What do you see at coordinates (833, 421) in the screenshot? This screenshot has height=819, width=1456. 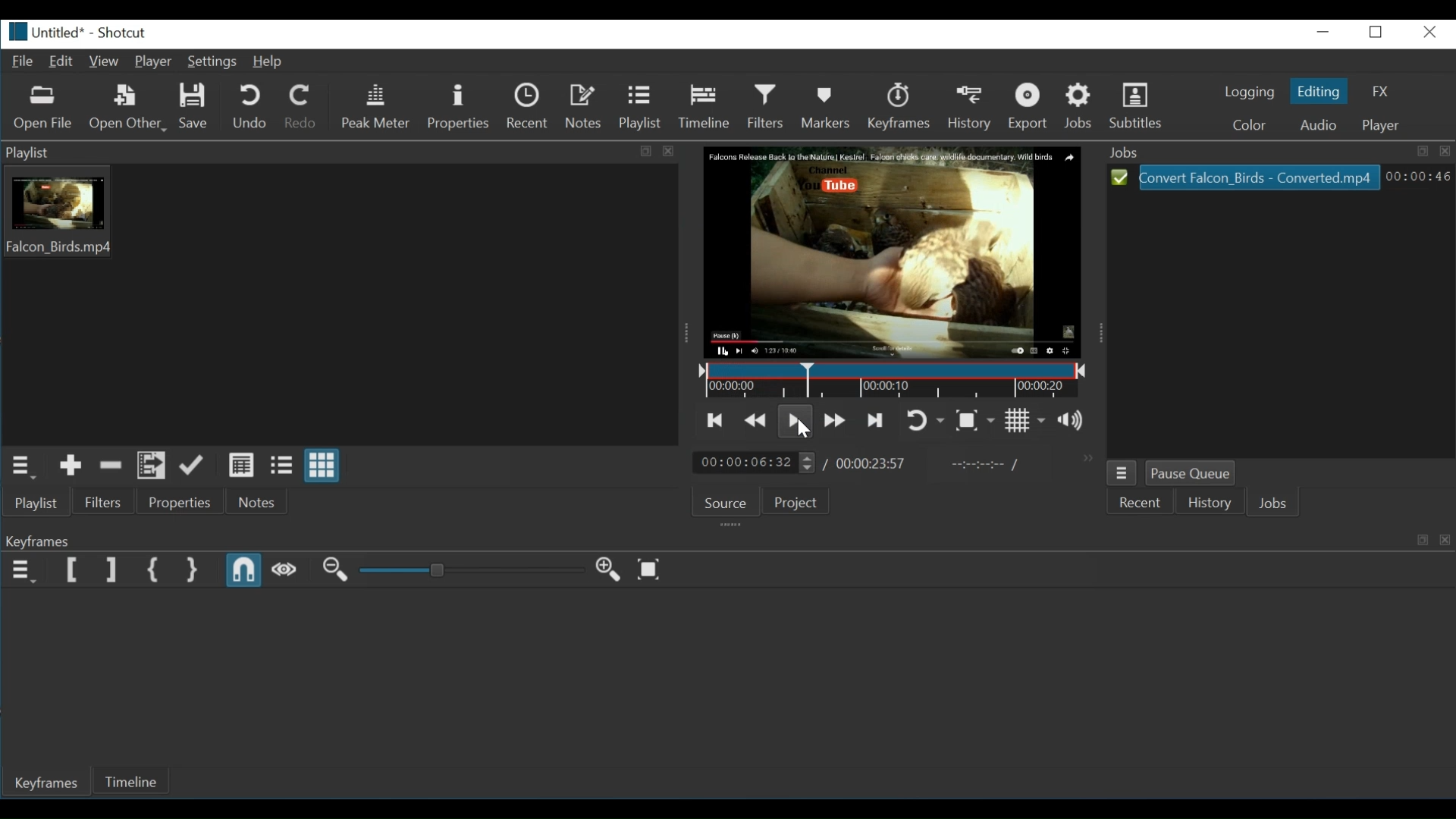 I see `Play quickly forward` at bounding box center [833, 421].